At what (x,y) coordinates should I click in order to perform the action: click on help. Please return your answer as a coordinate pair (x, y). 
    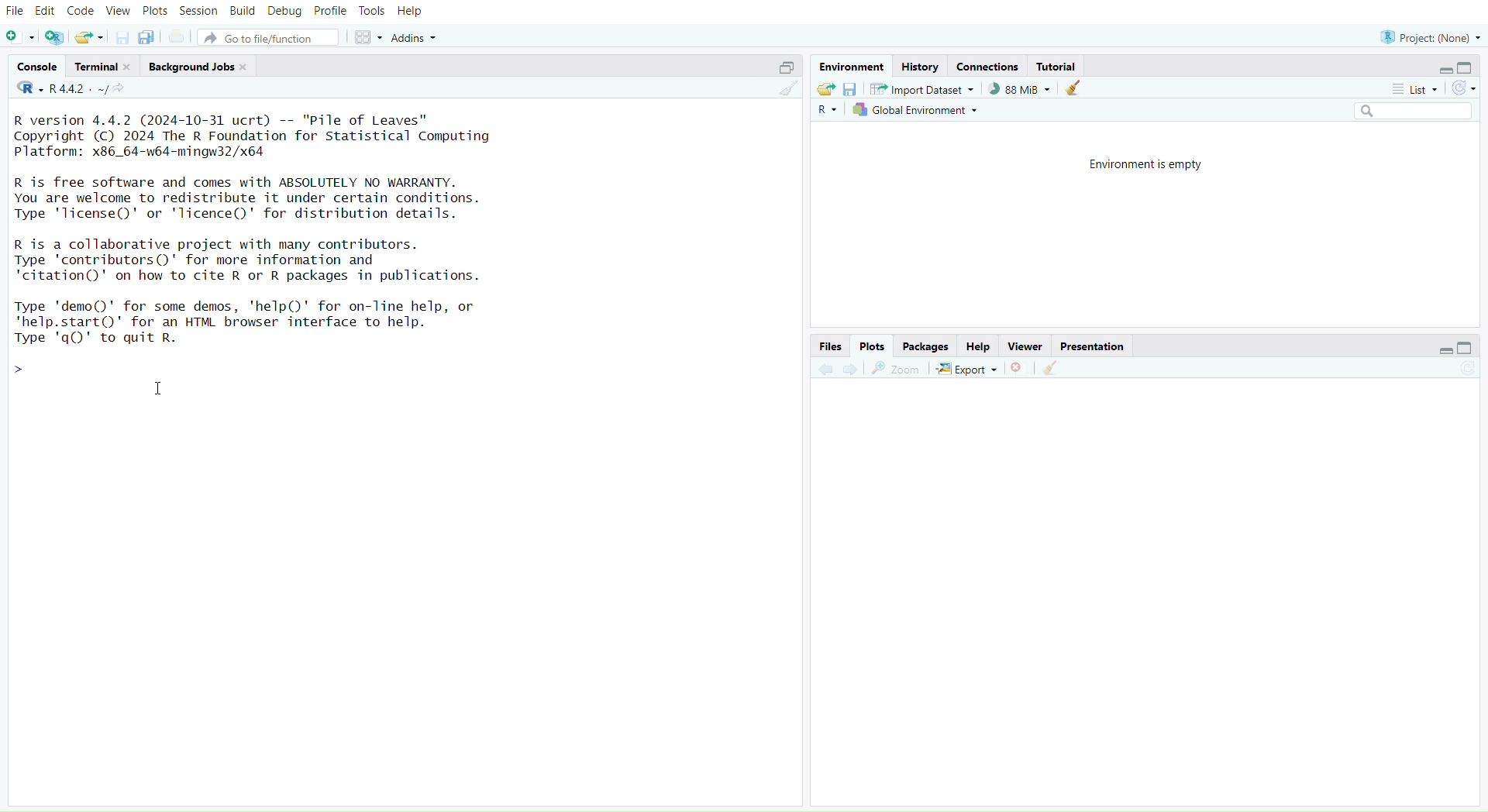
    Looking at the image, I should click on (411, 12).